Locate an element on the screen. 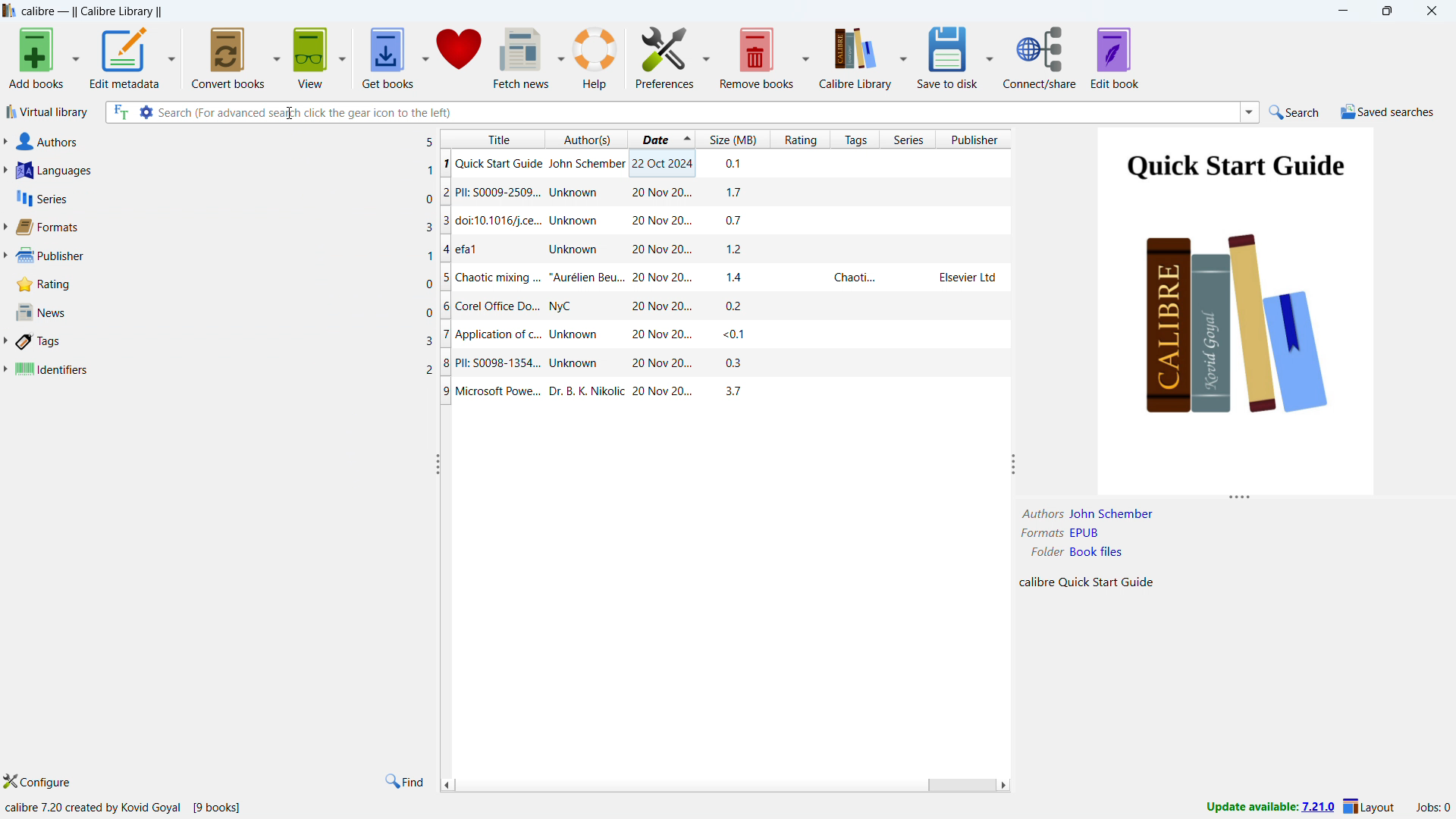 The width and height of the screenshot is (1456, 819). minimize is located at coordinates (1344, 9).